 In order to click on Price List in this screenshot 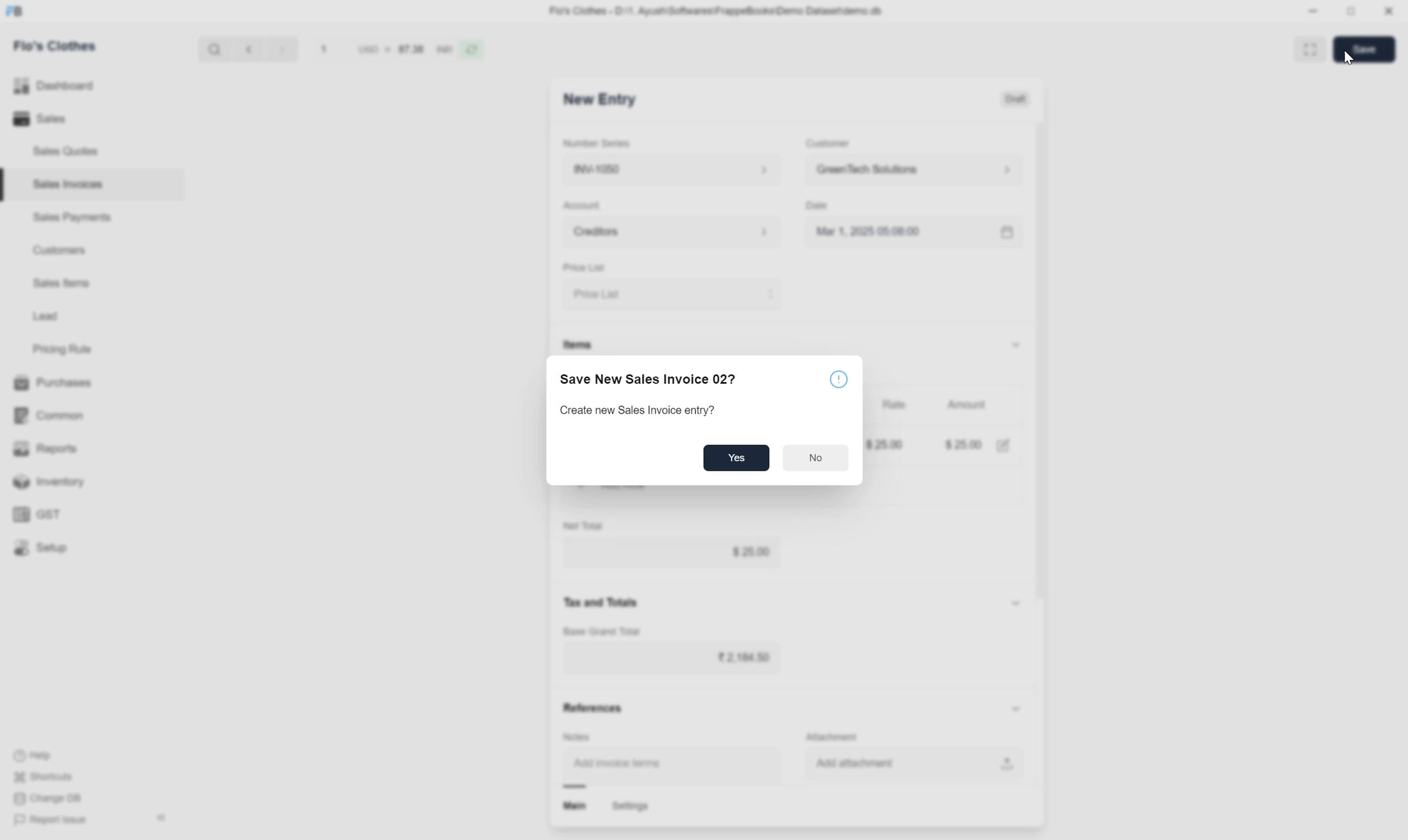, I will do `click(582, 268)`.